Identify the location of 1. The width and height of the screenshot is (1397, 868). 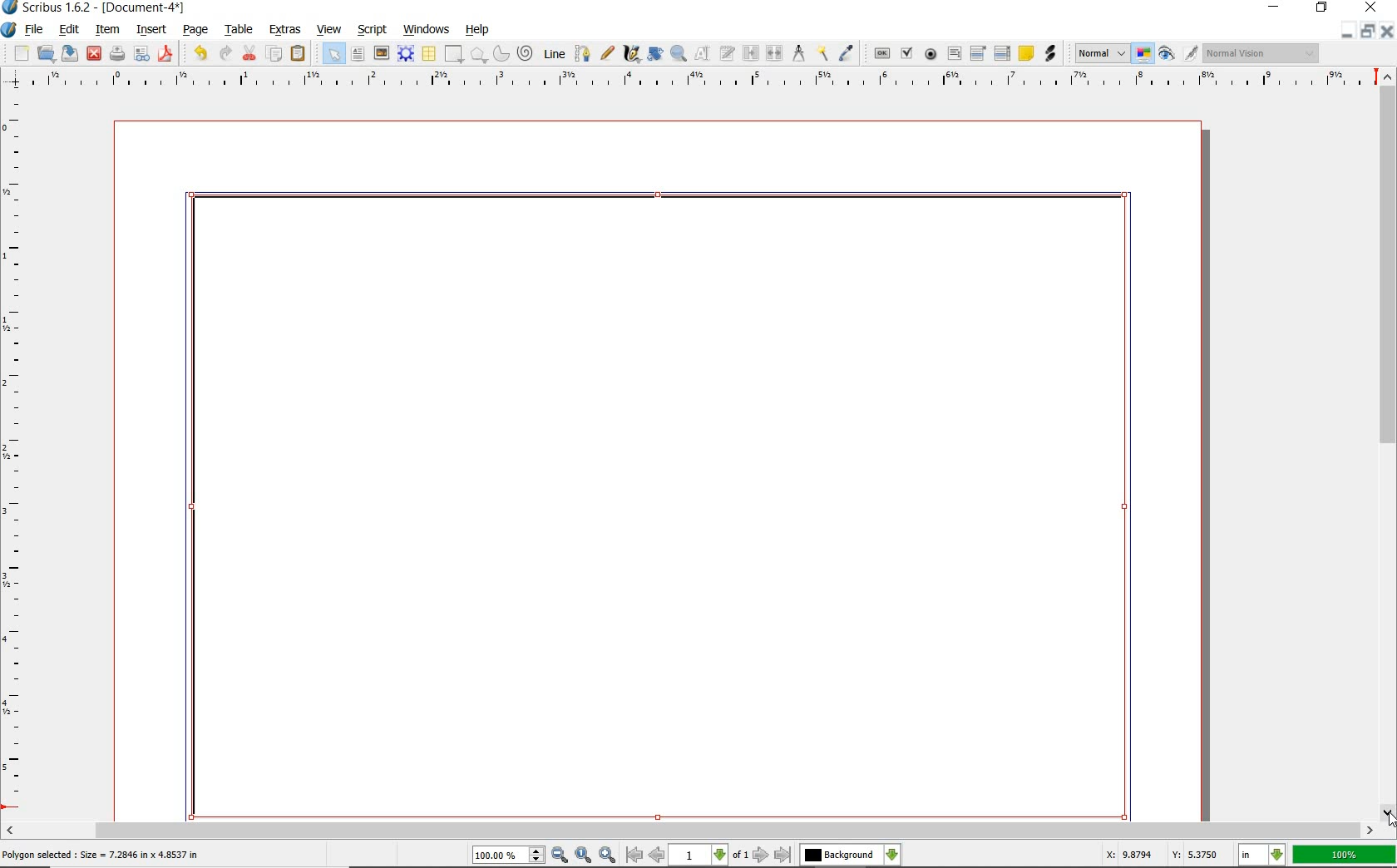
(699, 856).